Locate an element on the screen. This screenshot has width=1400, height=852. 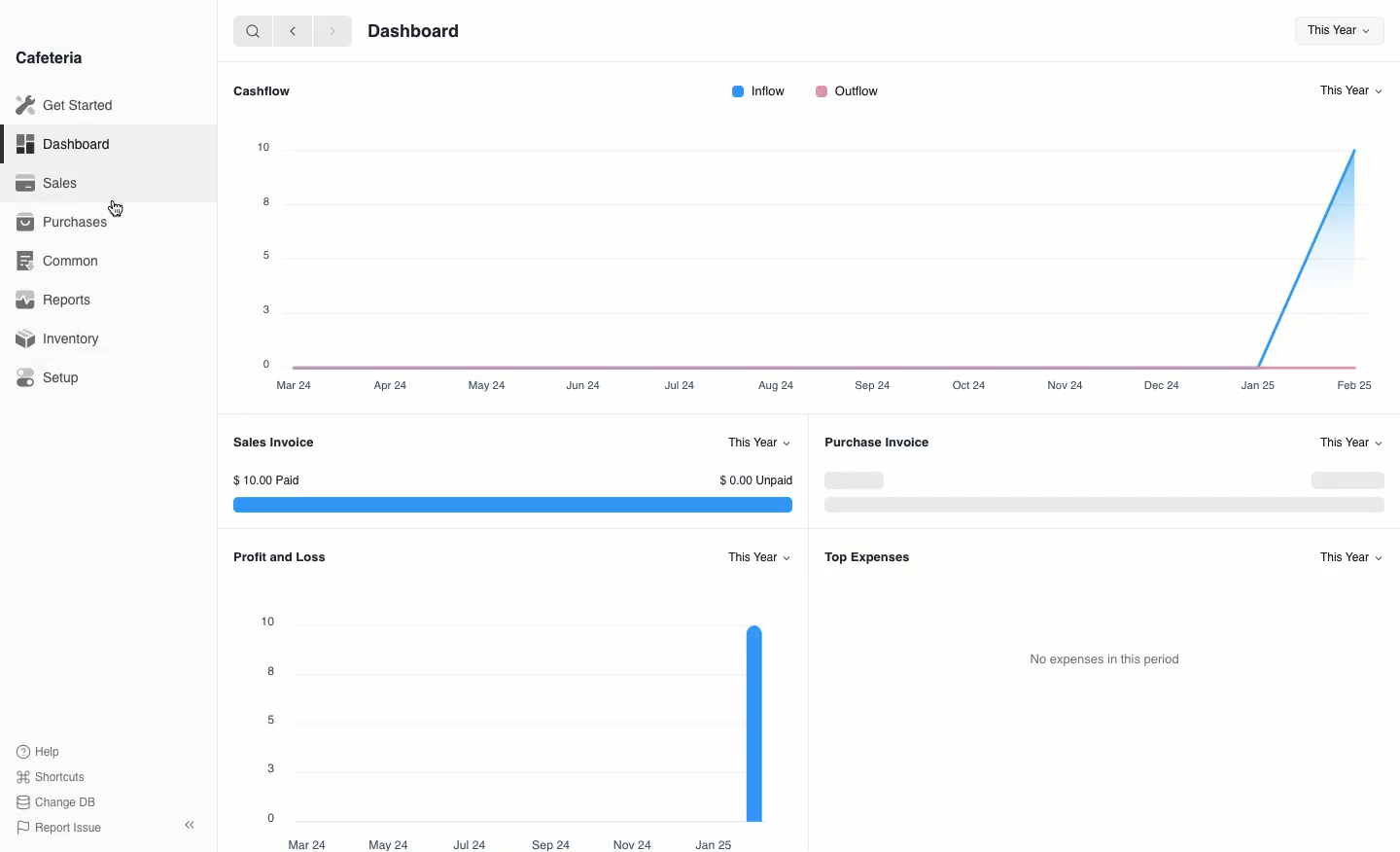
Purchases is located at coordinates (67, 223).